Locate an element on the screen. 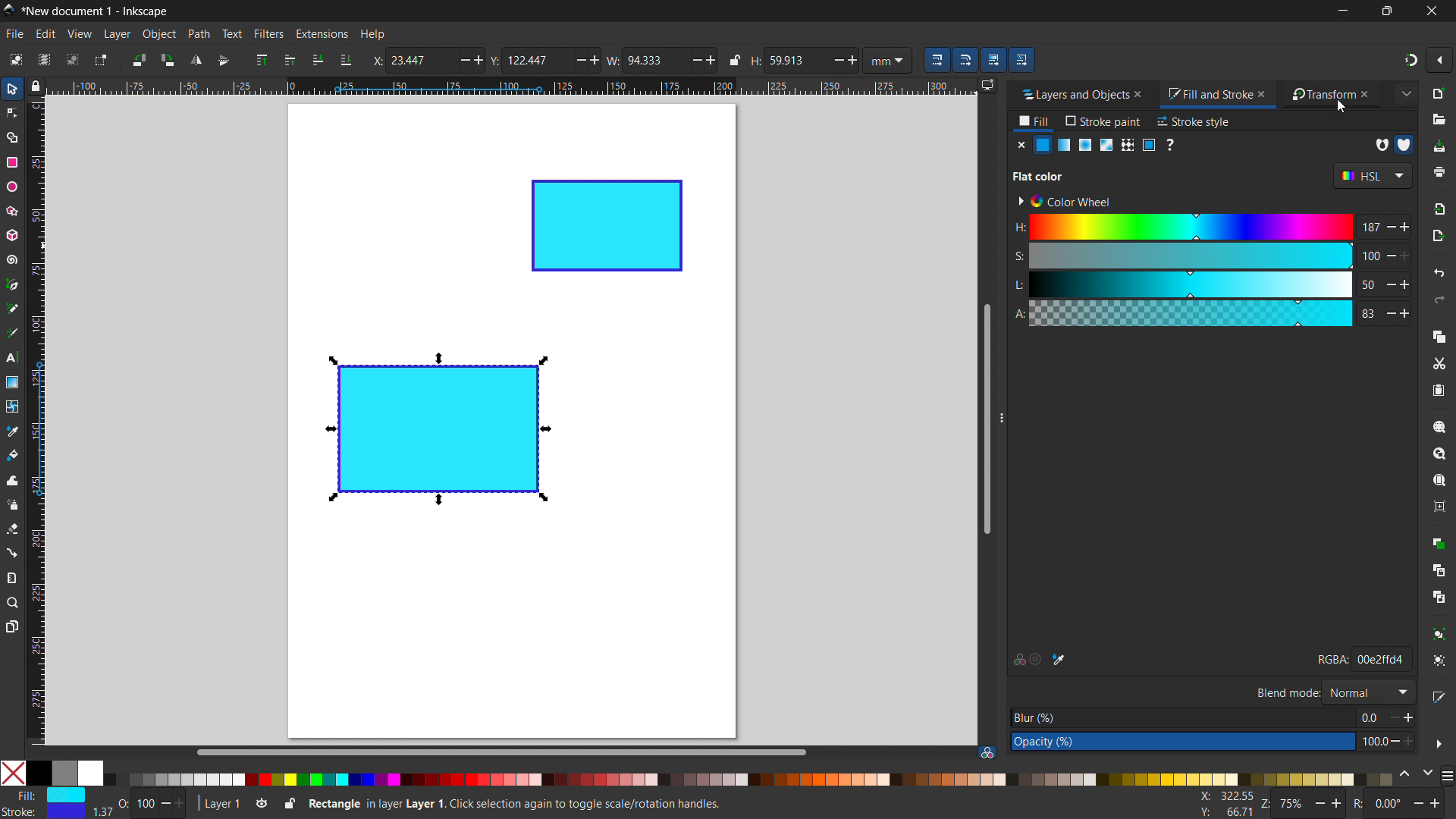  Add/ increase is located at coordinates (477, 60).